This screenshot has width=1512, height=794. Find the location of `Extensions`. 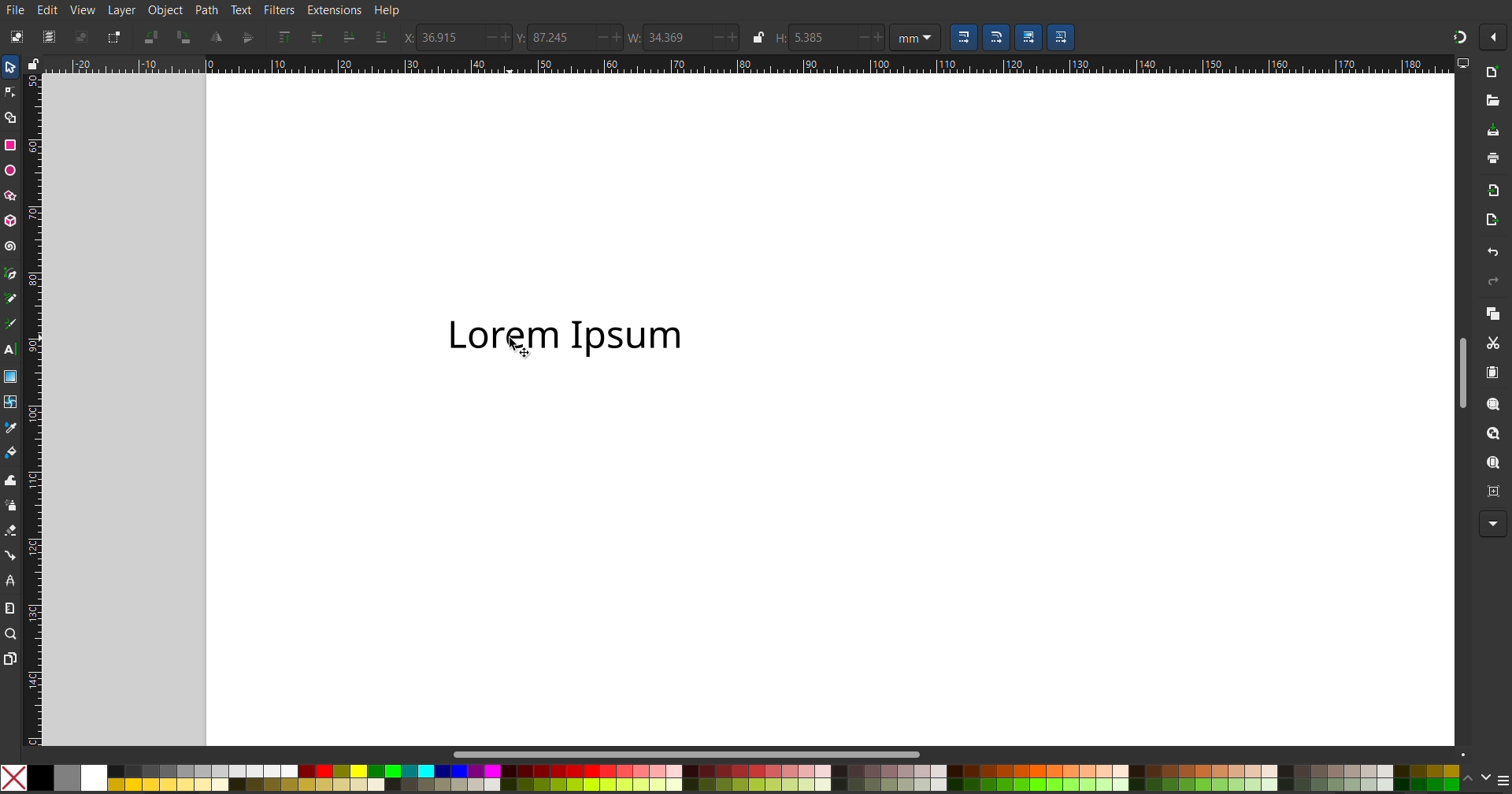

Extensions is located at coordinates (333, 11).